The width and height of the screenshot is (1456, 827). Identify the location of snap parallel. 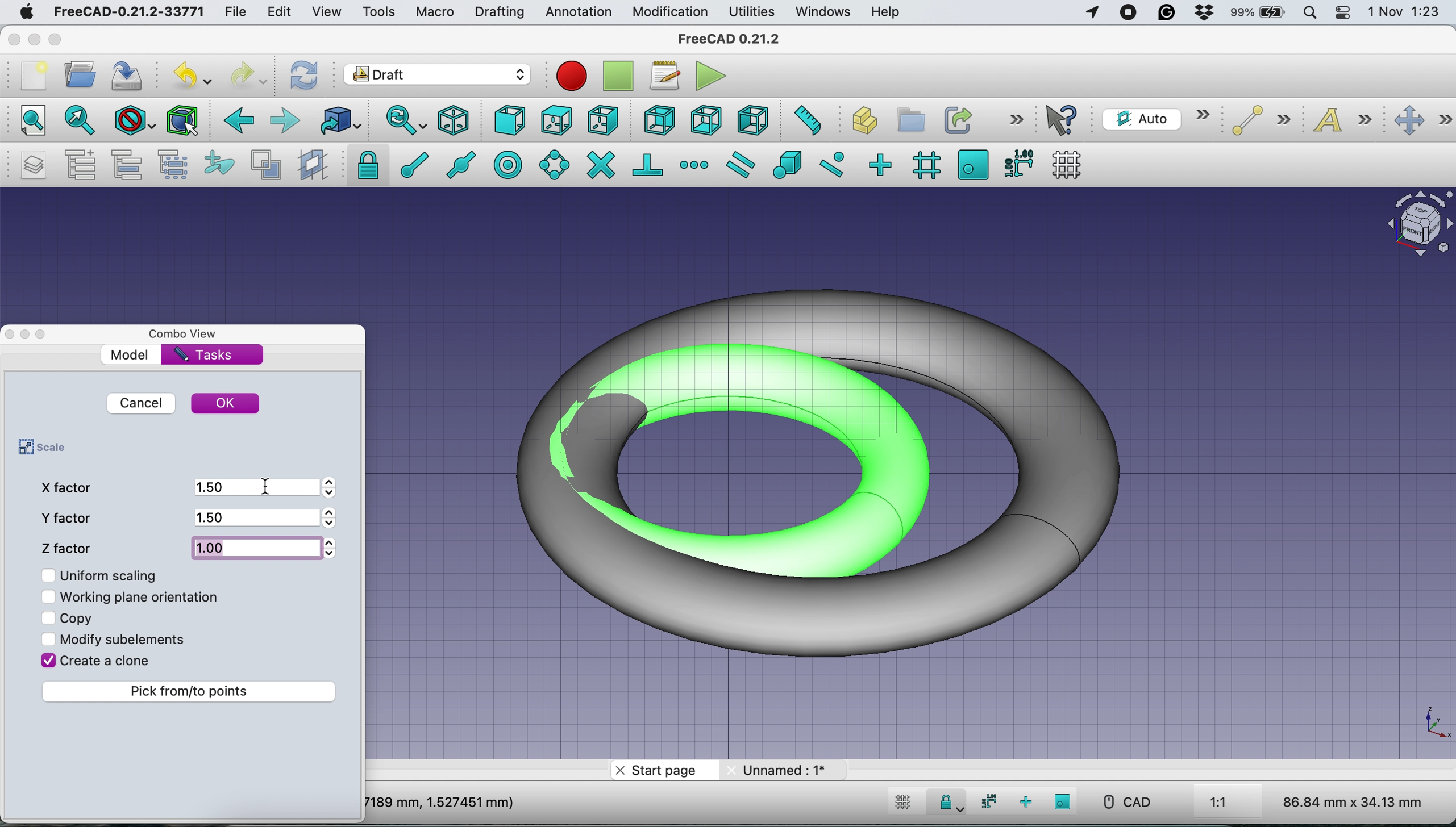
(744, 164).